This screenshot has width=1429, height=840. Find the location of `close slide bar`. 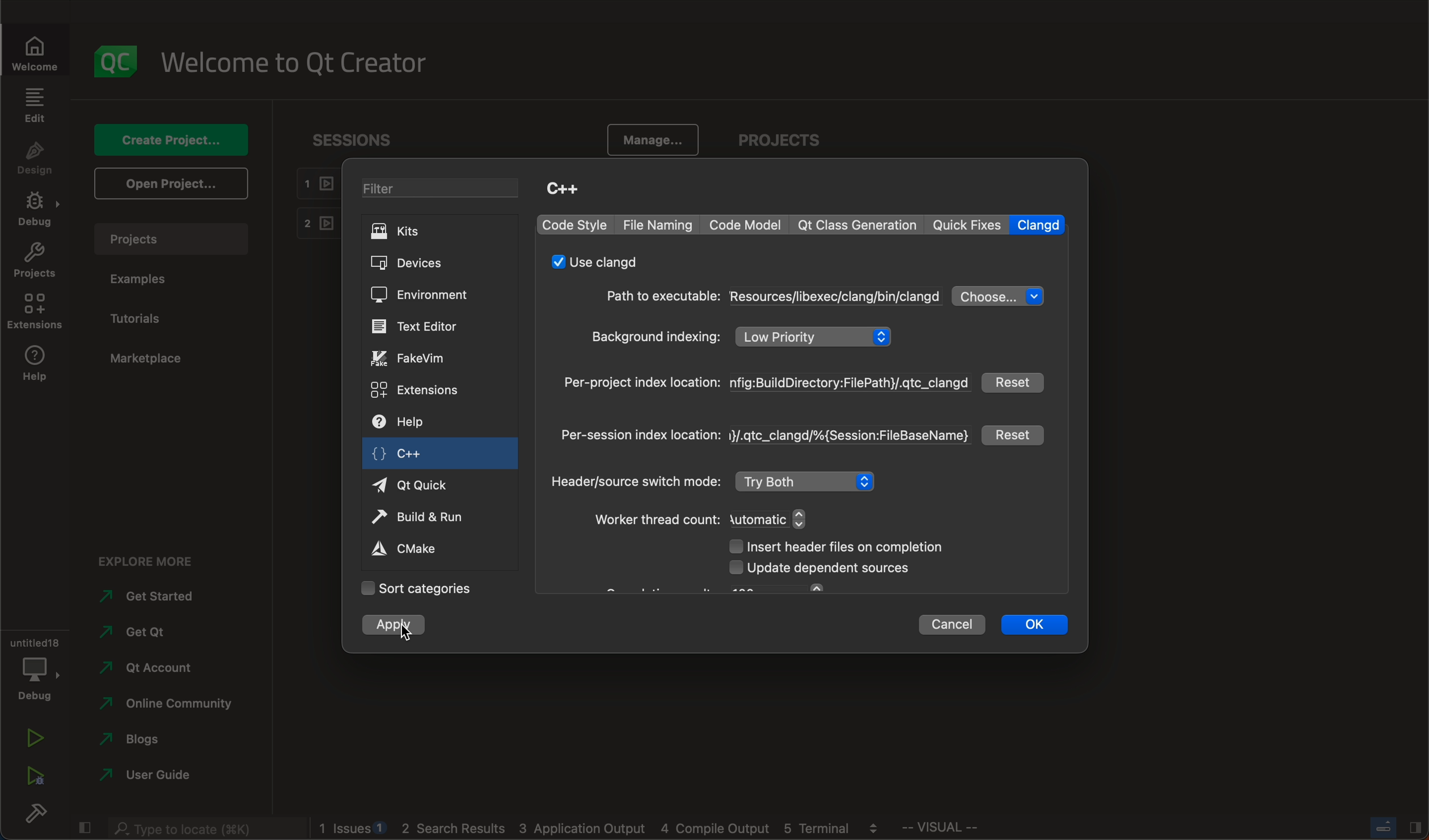

close slide bar is located at coordinates (85, 828).